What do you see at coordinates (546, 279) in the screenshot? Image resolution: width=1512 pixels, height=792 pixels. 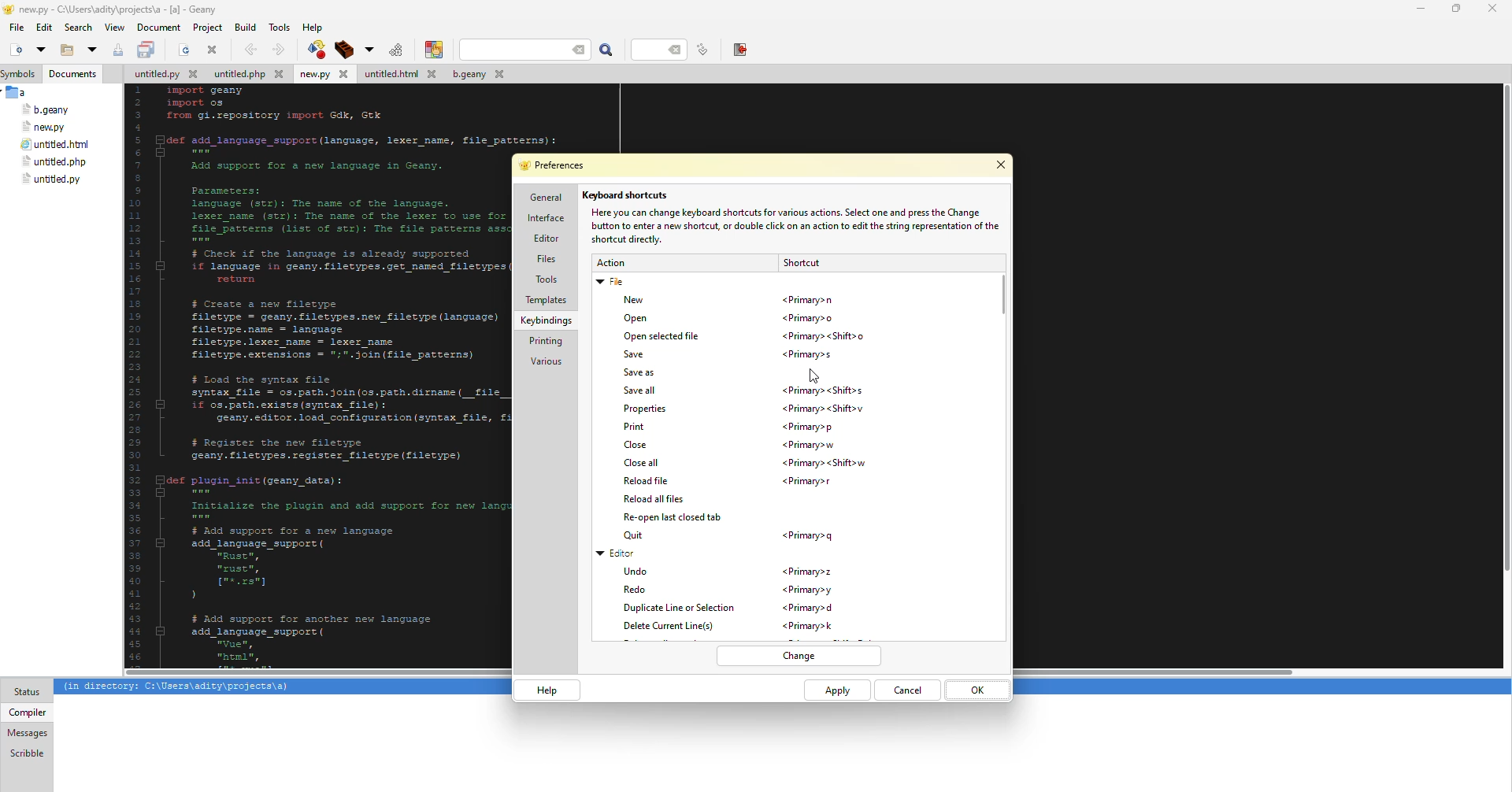 I see `tools` at bounding box center [546, 279].